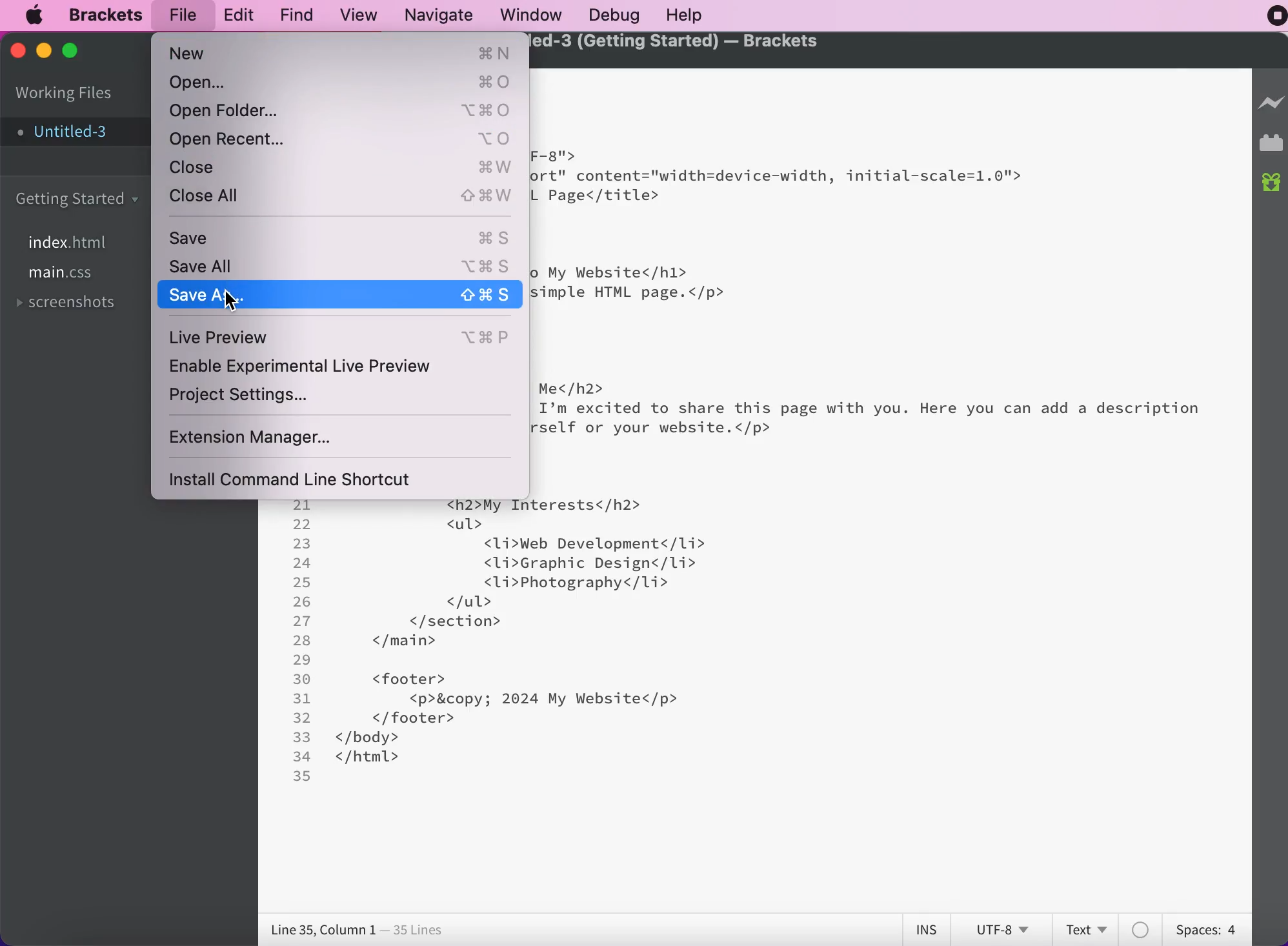 The width and height of the screenshot is (1288, 946). Describe the element at coordinates (533, 14) in the screenshot. I see `window` at that location.